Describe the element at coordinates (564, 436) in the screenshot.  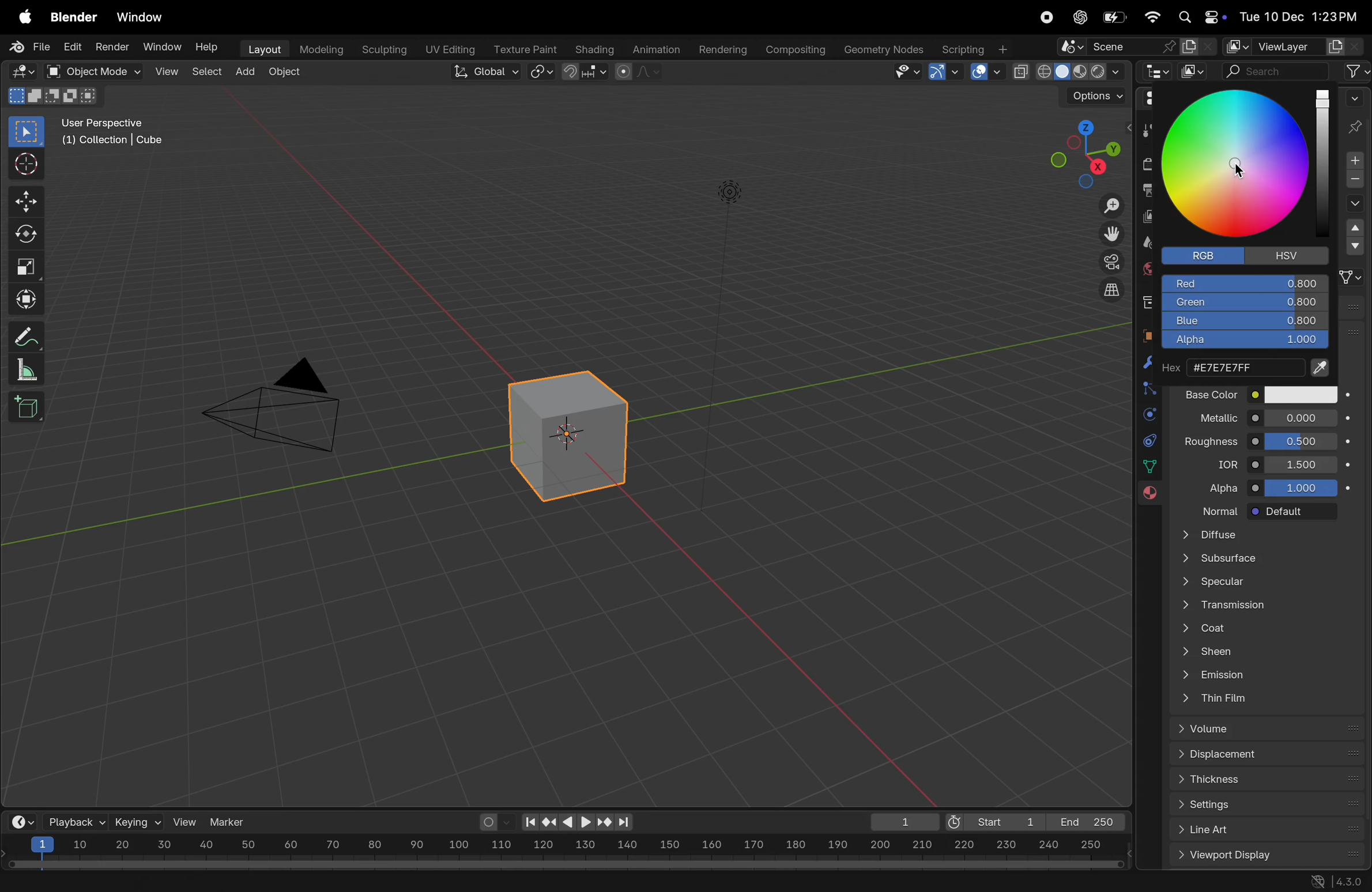
I see `3D cube ` at that location.